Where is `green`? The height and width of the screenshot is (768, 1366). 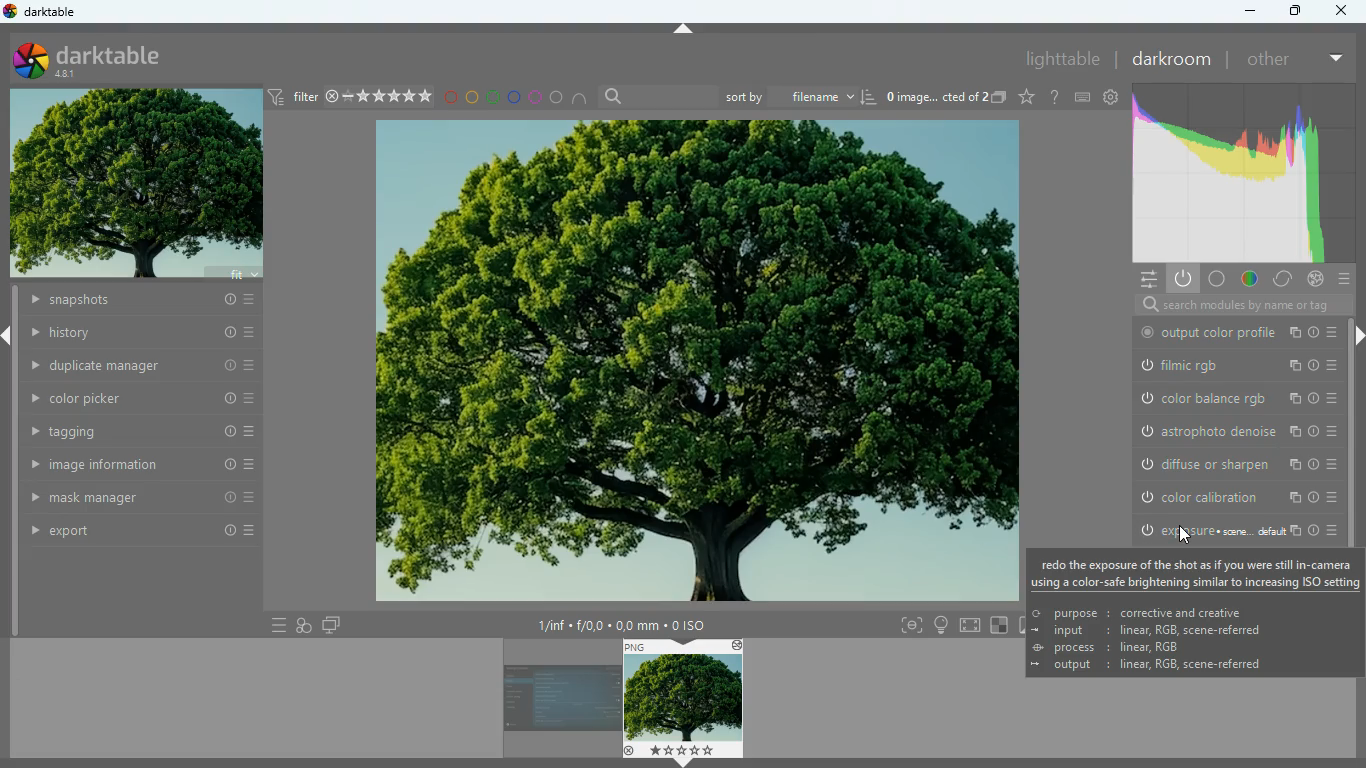
green is located at coordinates (493, 99).